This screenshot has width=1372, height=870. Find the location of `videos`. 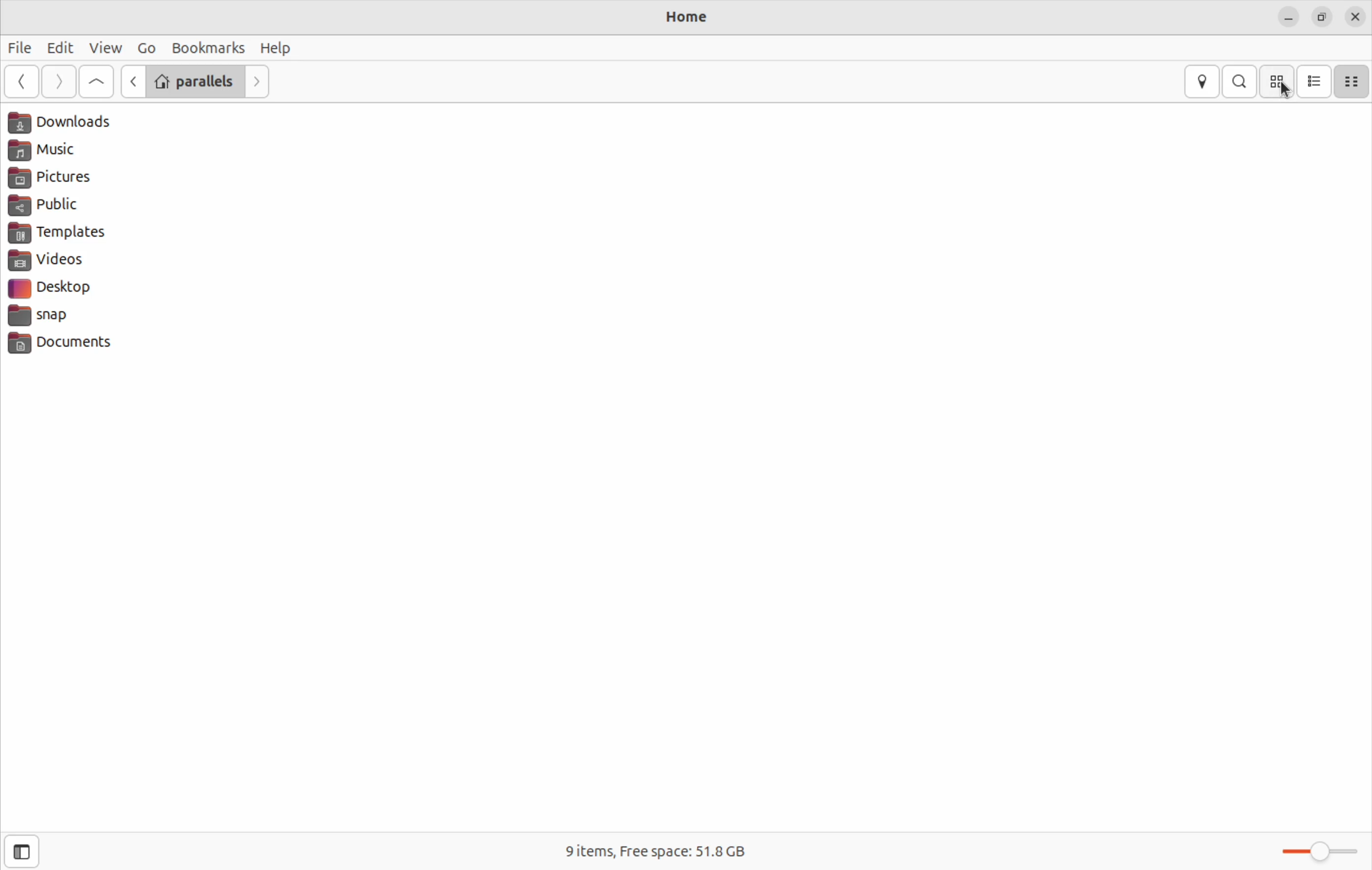

videos is located at coordinates (60, 262).